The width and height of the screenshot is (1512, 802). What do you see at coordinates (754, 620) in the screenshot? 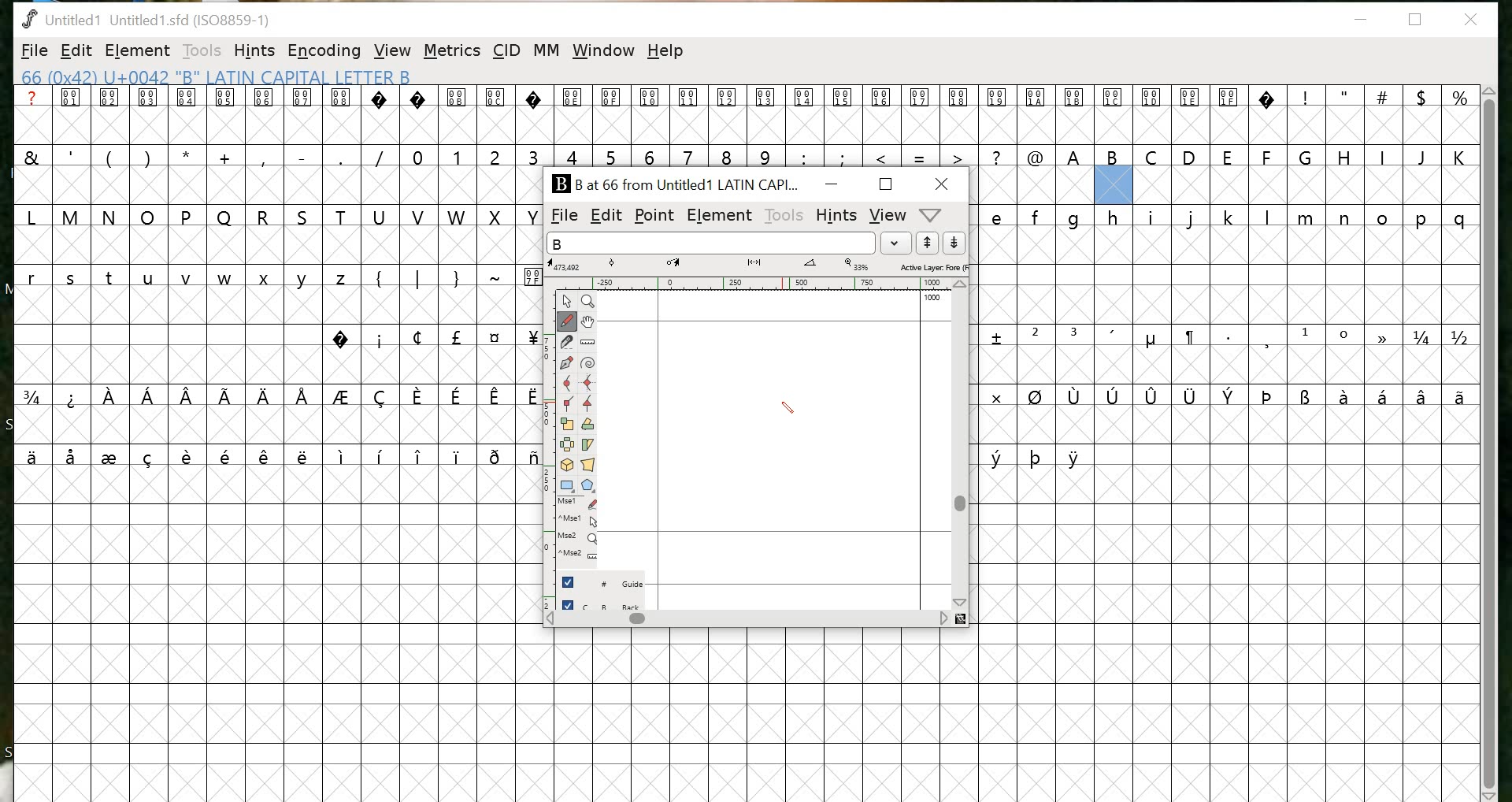
I see `scrollbar` at bounding box center [754, 620].